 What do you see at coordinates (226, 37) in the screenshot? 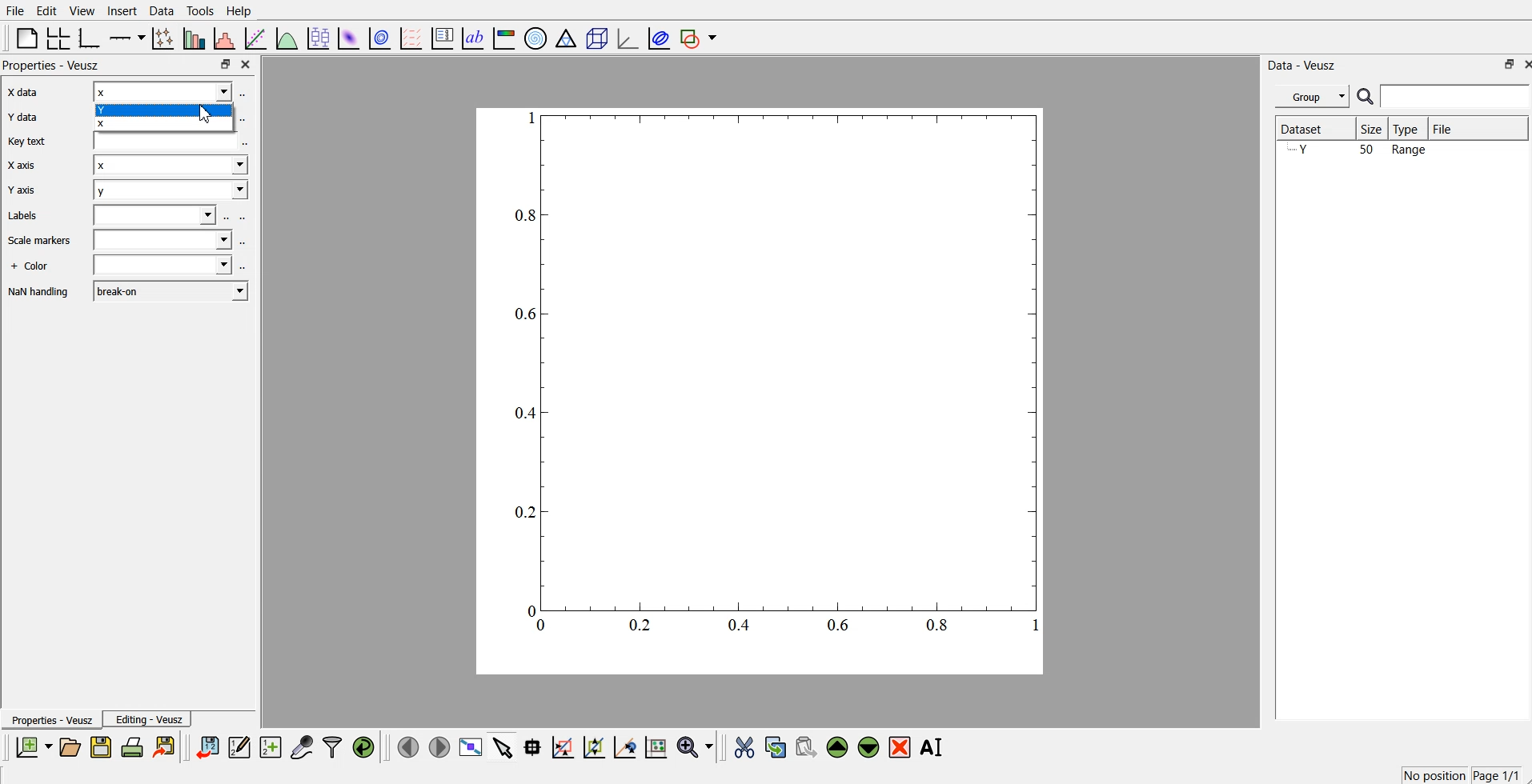
I see `histogram` at bounding box center [226, 37].